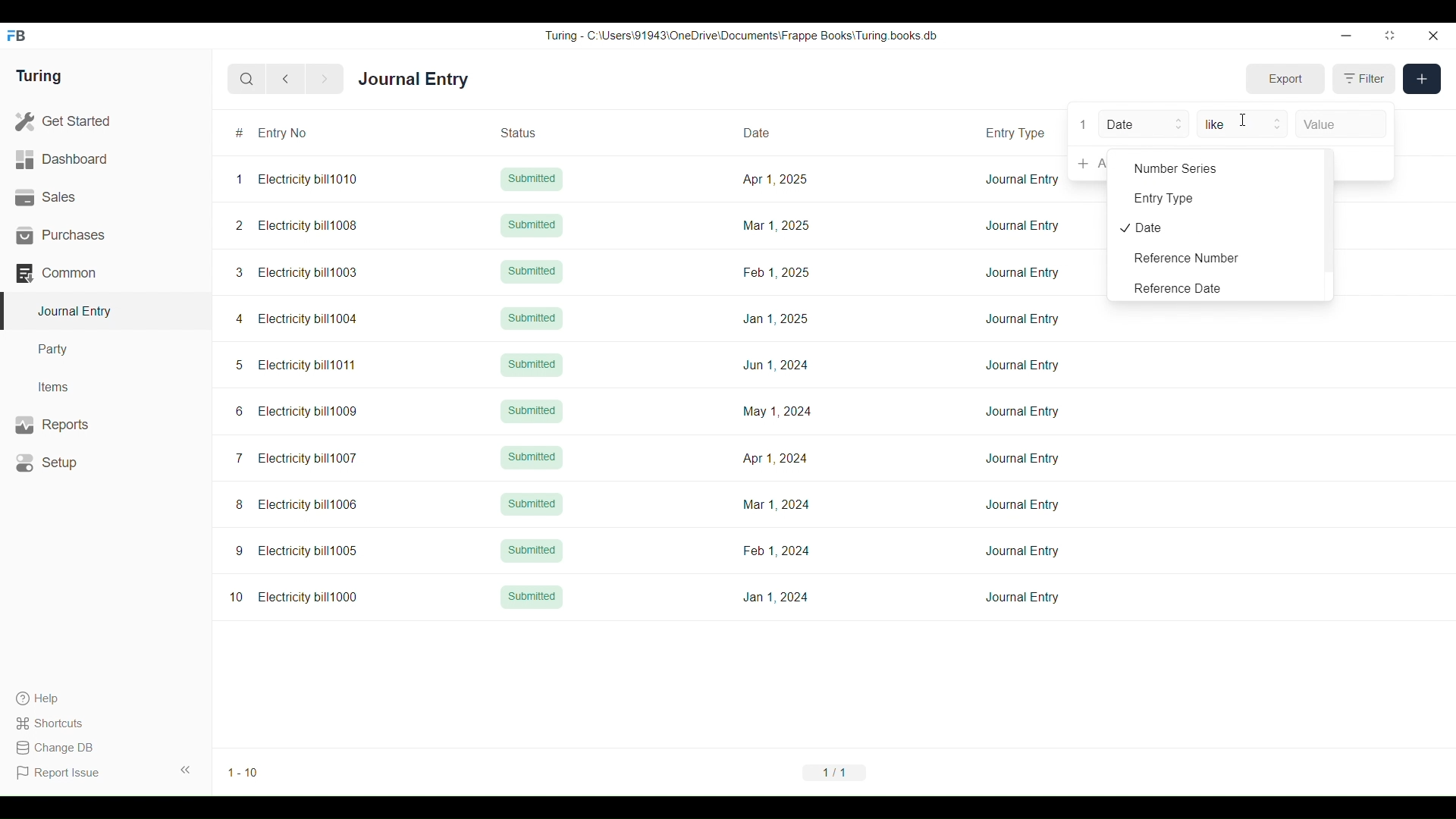 This screenshot has height=819, width=1456. Describe the element at coordinates (413, 78) in the screenshot. I see `Journal Entry` at that location.